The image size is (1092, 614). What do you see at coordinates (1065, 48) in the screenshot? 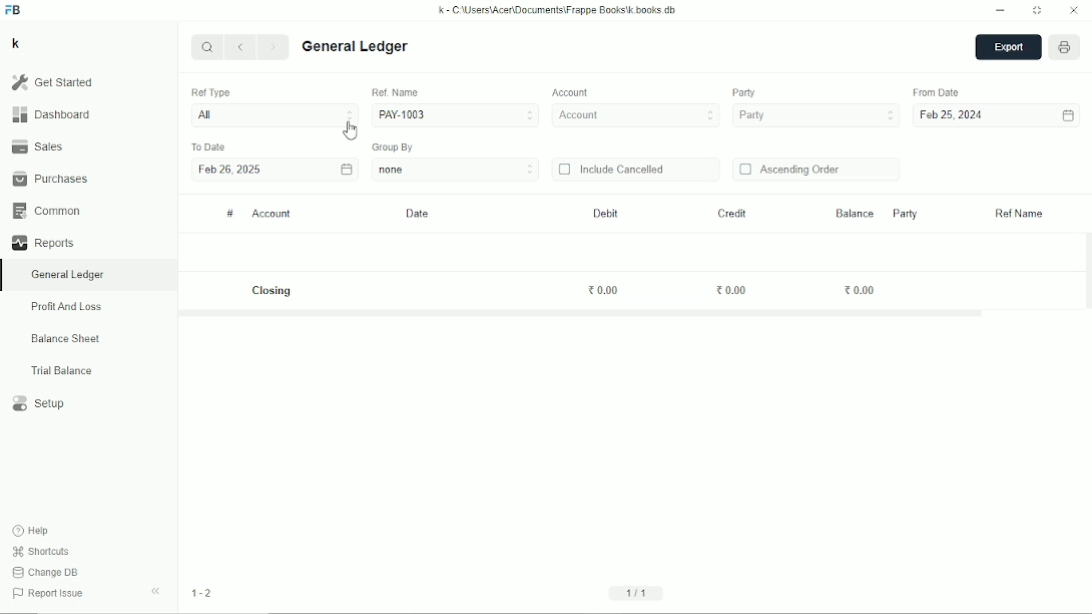
I see `Open report print view` at bounding box center [1065, 48].